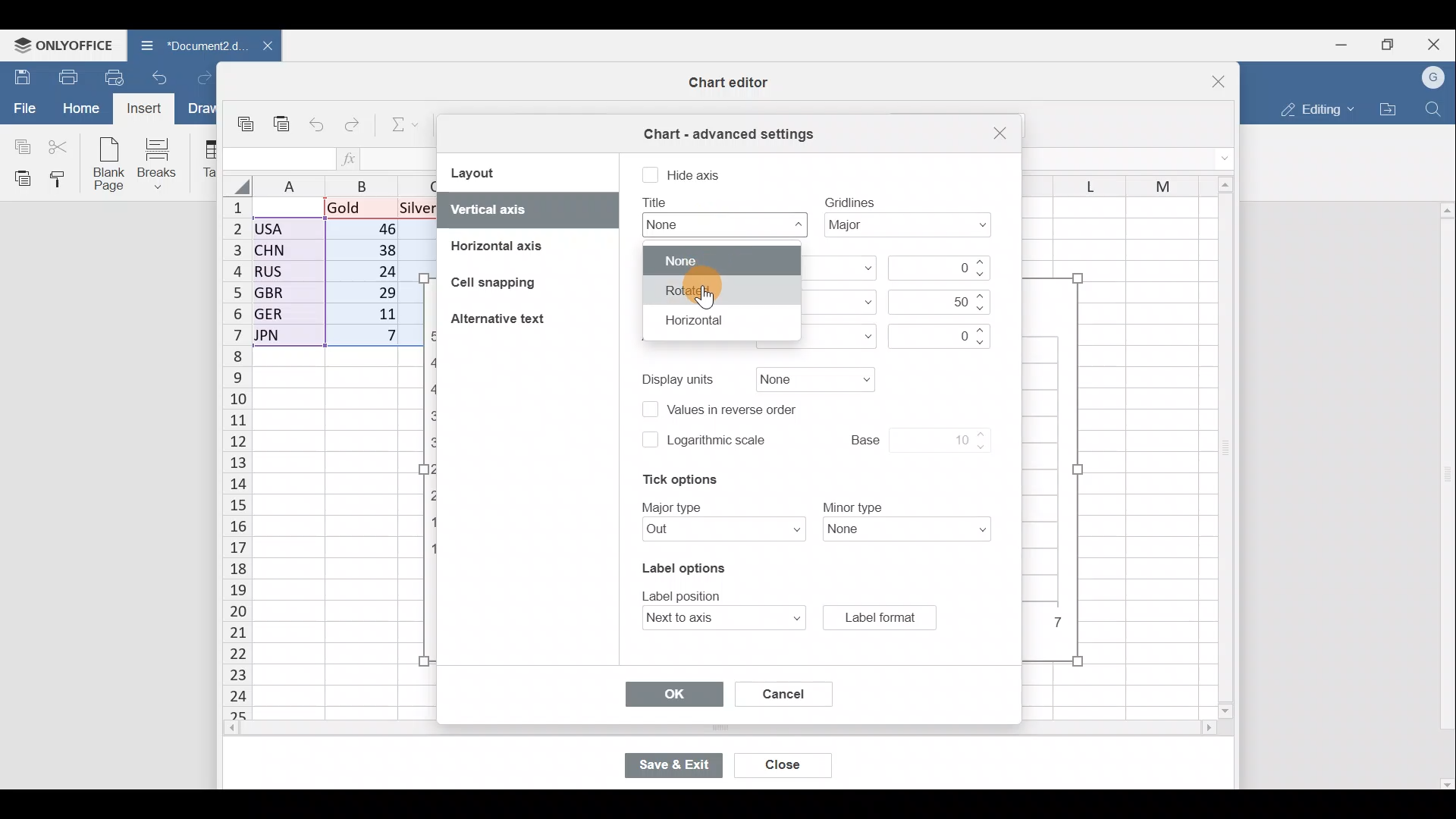 The height and width of the screenshot is (819, 1456). I want to click on Minimum value, so click(943, 271).